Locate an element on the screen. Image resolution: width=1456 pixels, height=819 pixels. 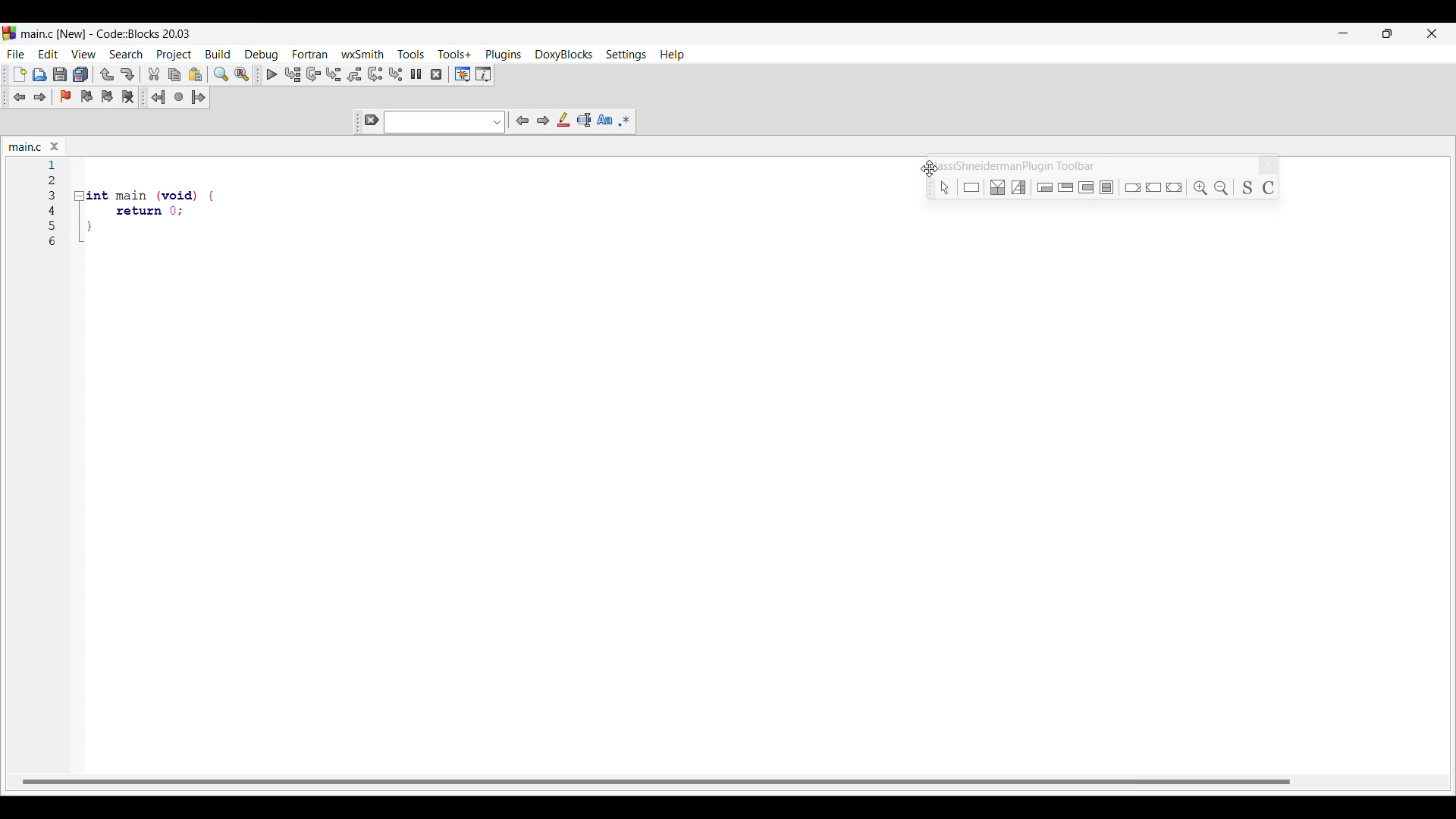
Next instruction is located at coordinates (375, 74).